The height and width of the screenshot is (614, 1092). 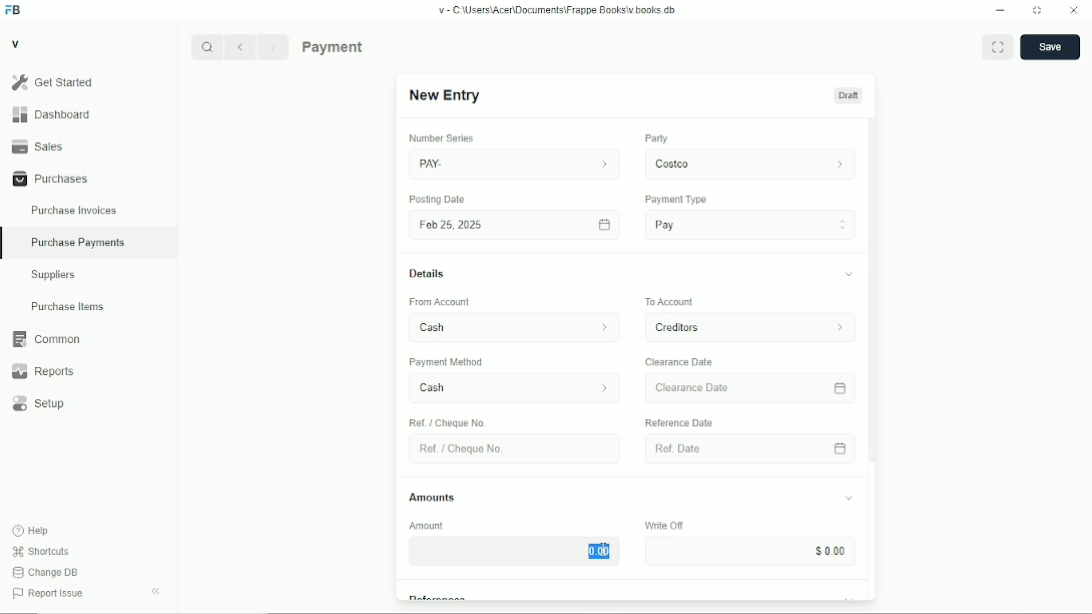 What do you see at coordinates (435, 526) in the screenshot?
I see `Amount` at bounding box center [435, 526].